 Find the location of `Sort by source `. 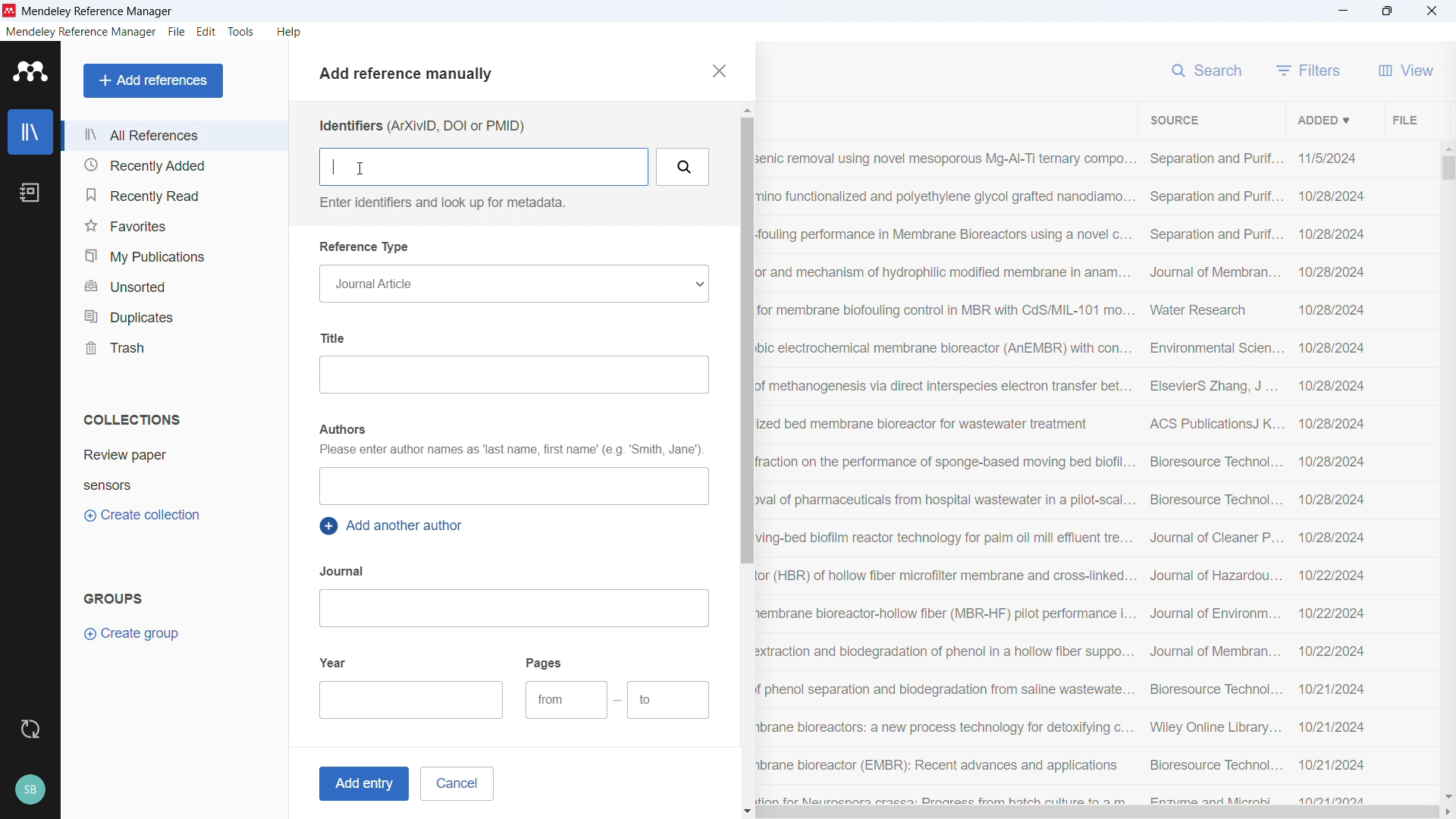

Sort by source  is located at coordinates (1174, 121).